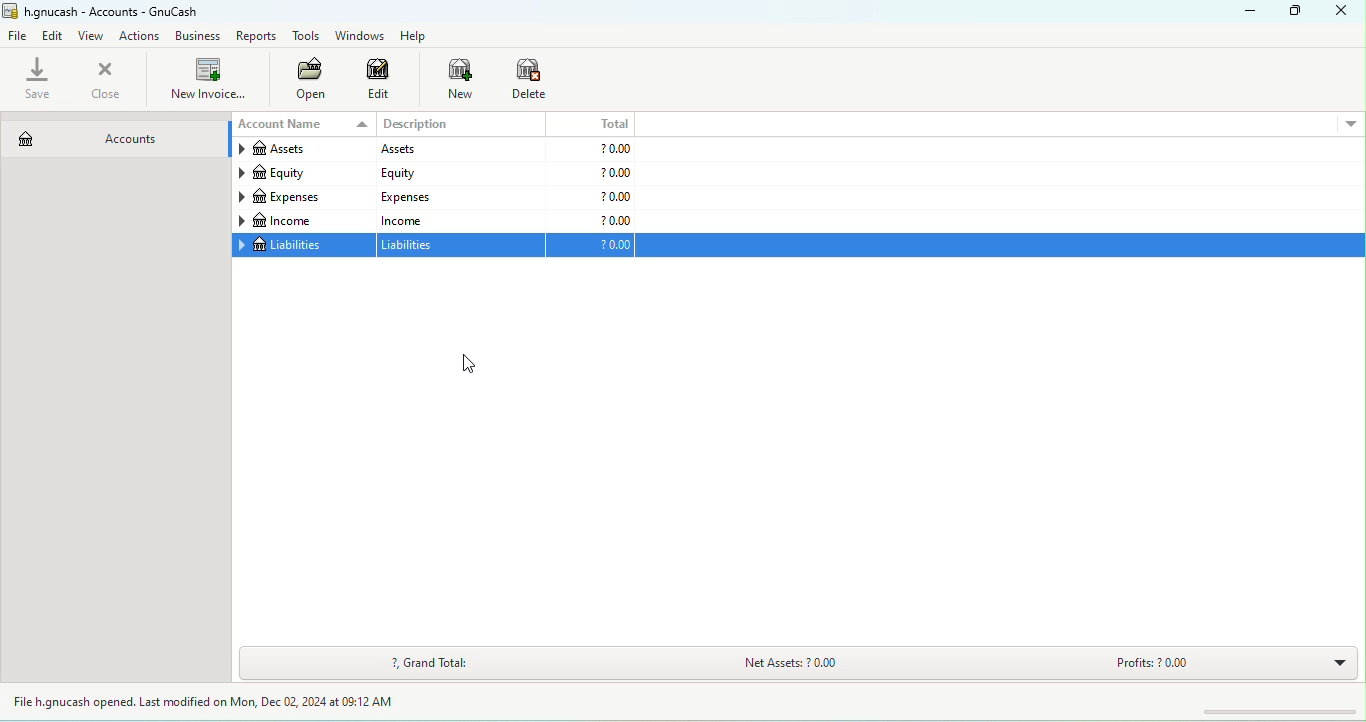 The width and height of the screenshot is (1366, 722). I want to click on edit, so click(379, 82).